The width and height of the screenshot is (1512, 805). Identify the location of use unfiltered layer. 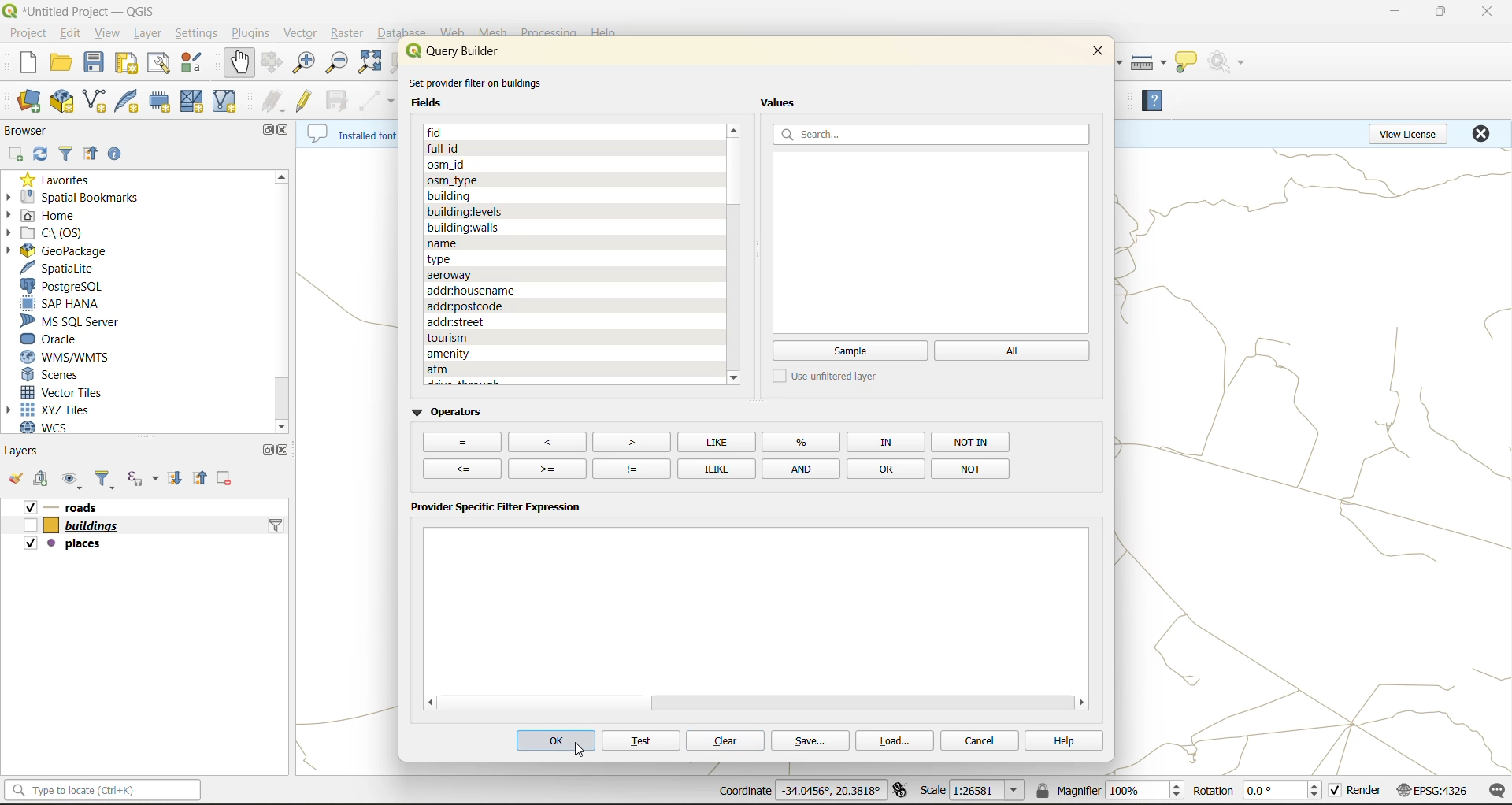
(832, 377).